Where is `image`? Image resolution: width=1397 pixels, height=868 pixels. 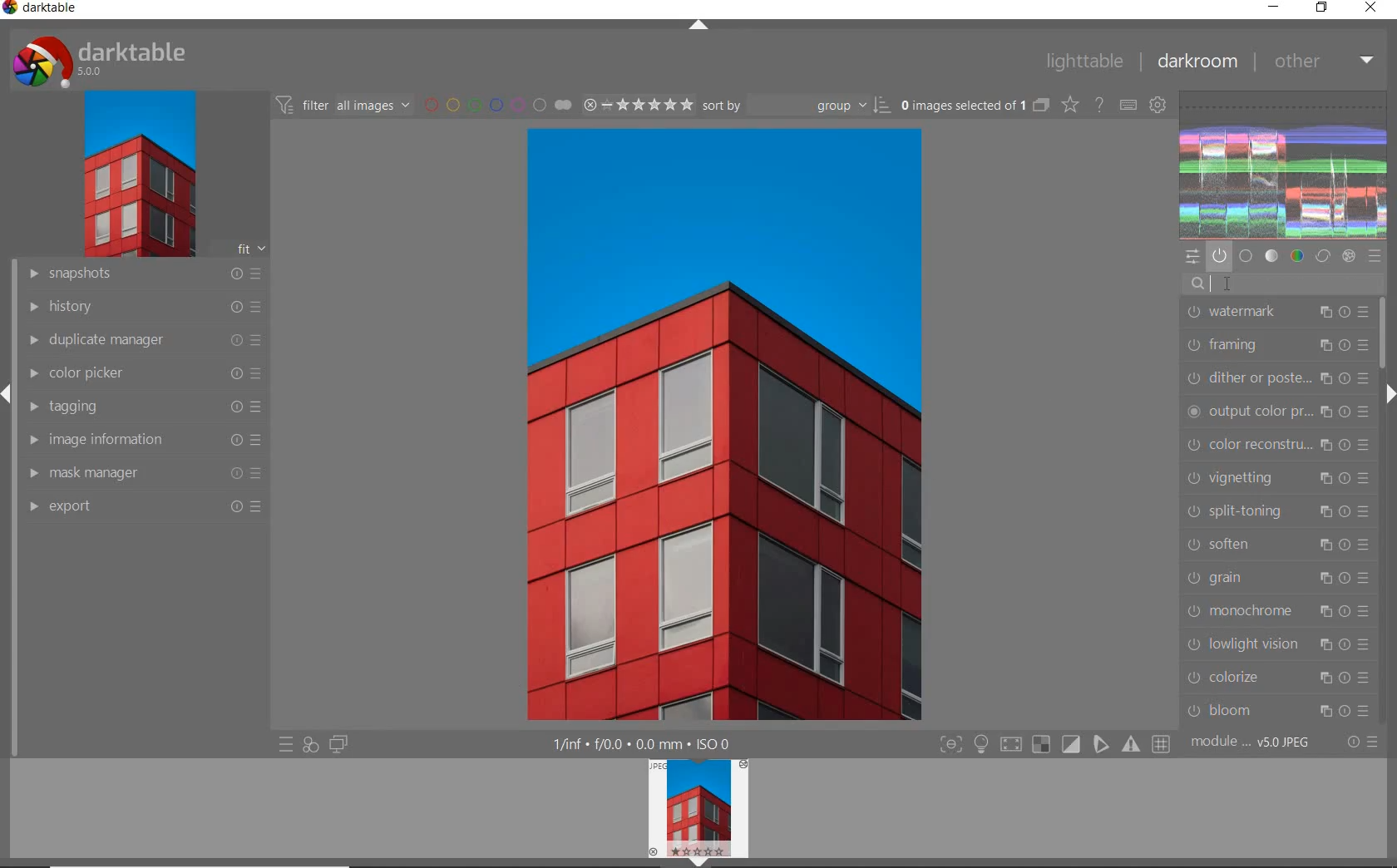 image is located at coordinates (136, 174).